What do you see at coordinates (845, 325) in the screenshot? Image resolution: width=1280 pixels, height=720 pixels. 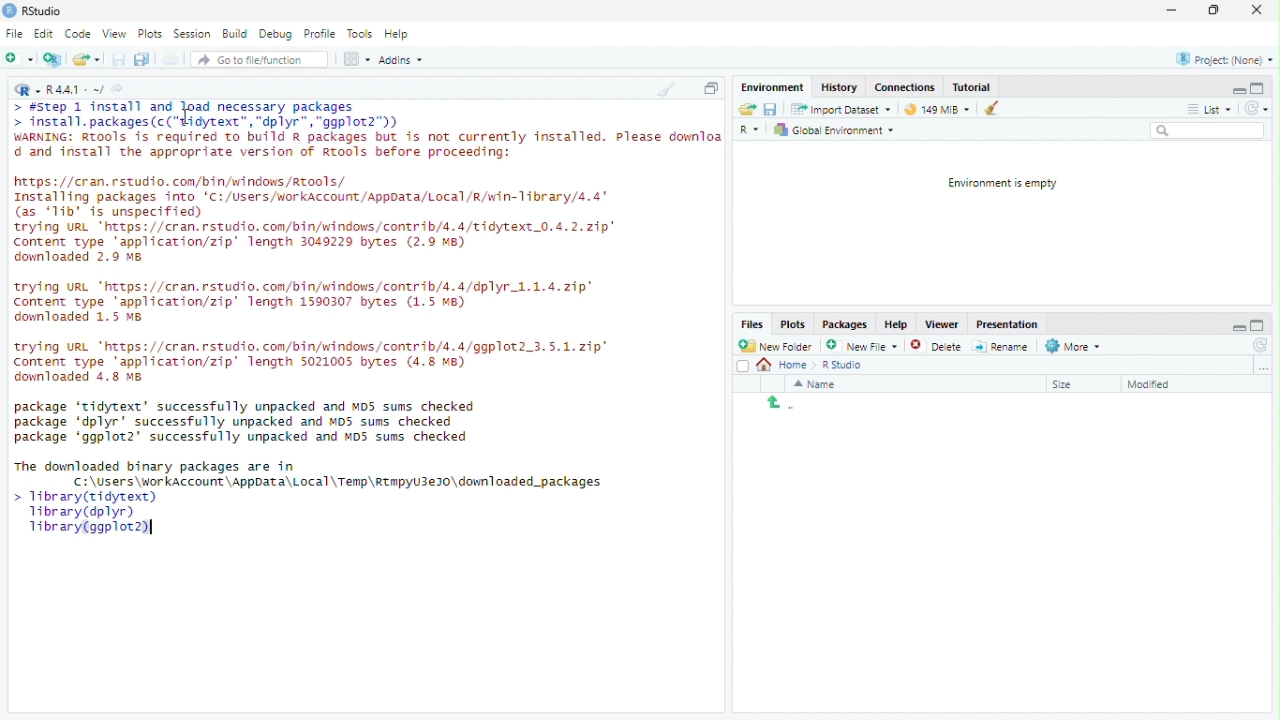 I see `Packages` at bounding box center [845, 325].